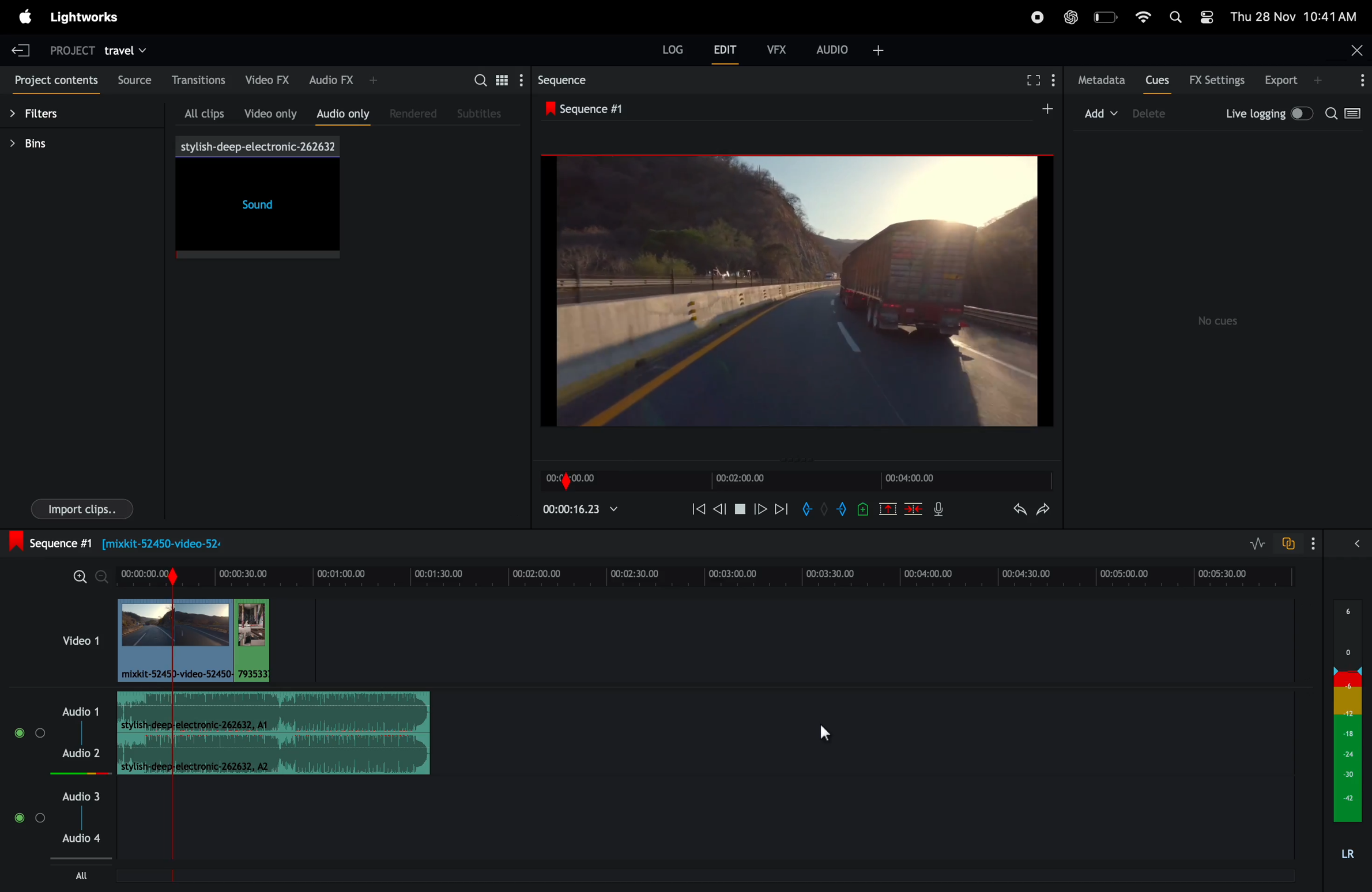 The width and height of the screenshot is (1372, 892). Describe the element at coordinates (19, 823) in the screenshot. I see `Mute/Unmute track` at that location.